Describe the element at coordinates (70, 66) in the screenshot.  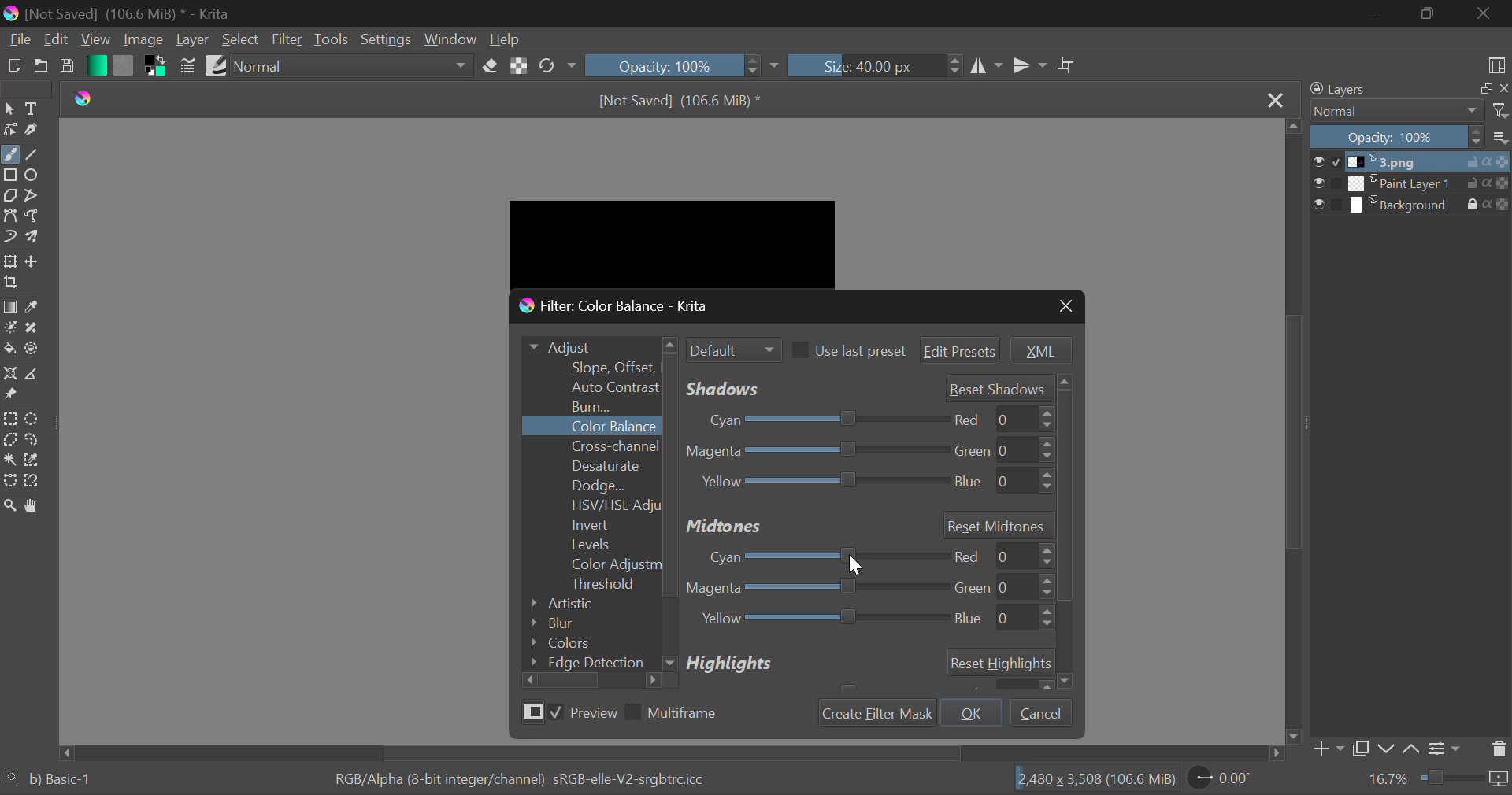
I see `Save` at that location.